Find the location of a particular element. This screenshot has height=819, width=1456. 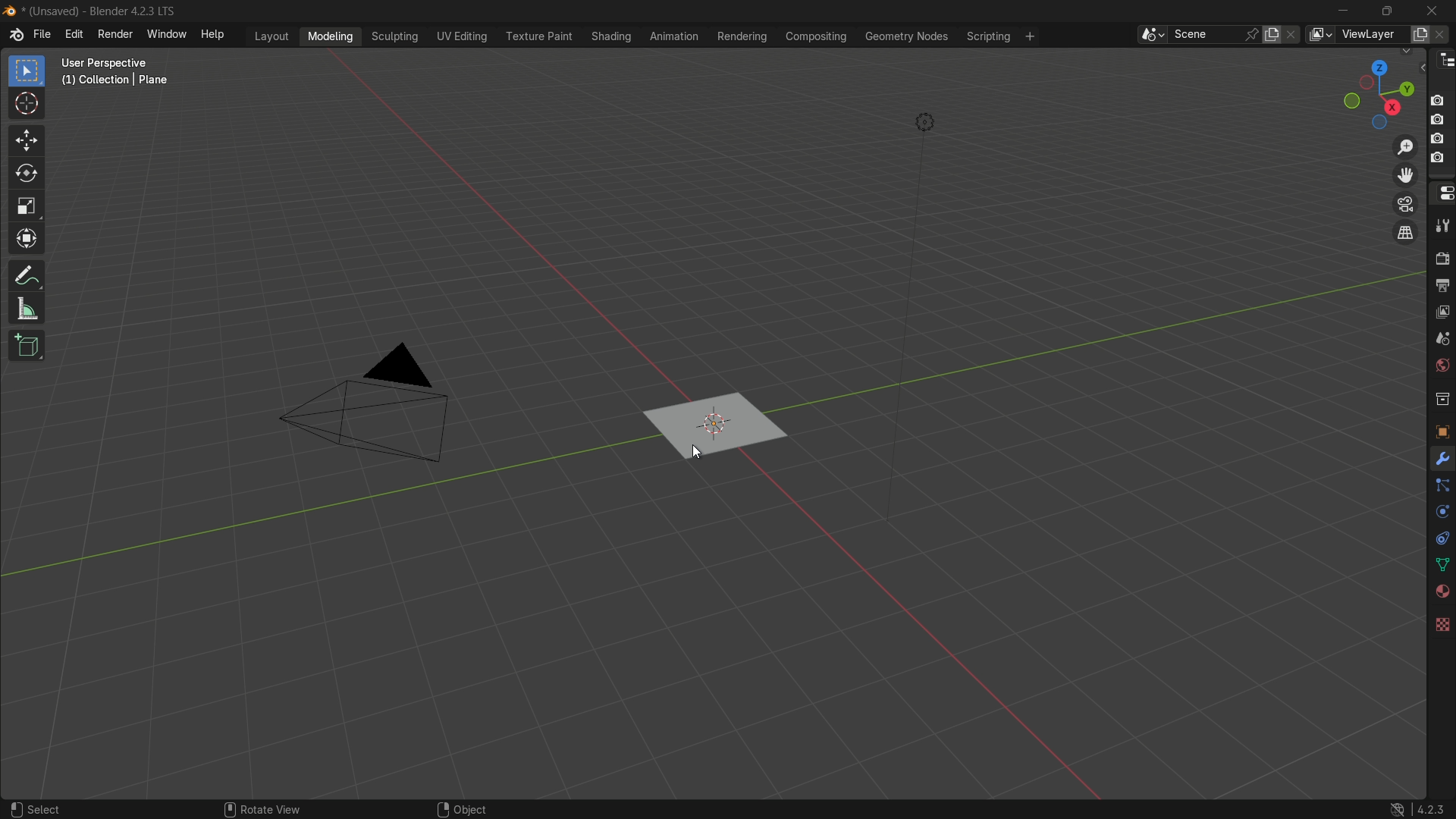

new scene is located at coordinates (1273, 35).